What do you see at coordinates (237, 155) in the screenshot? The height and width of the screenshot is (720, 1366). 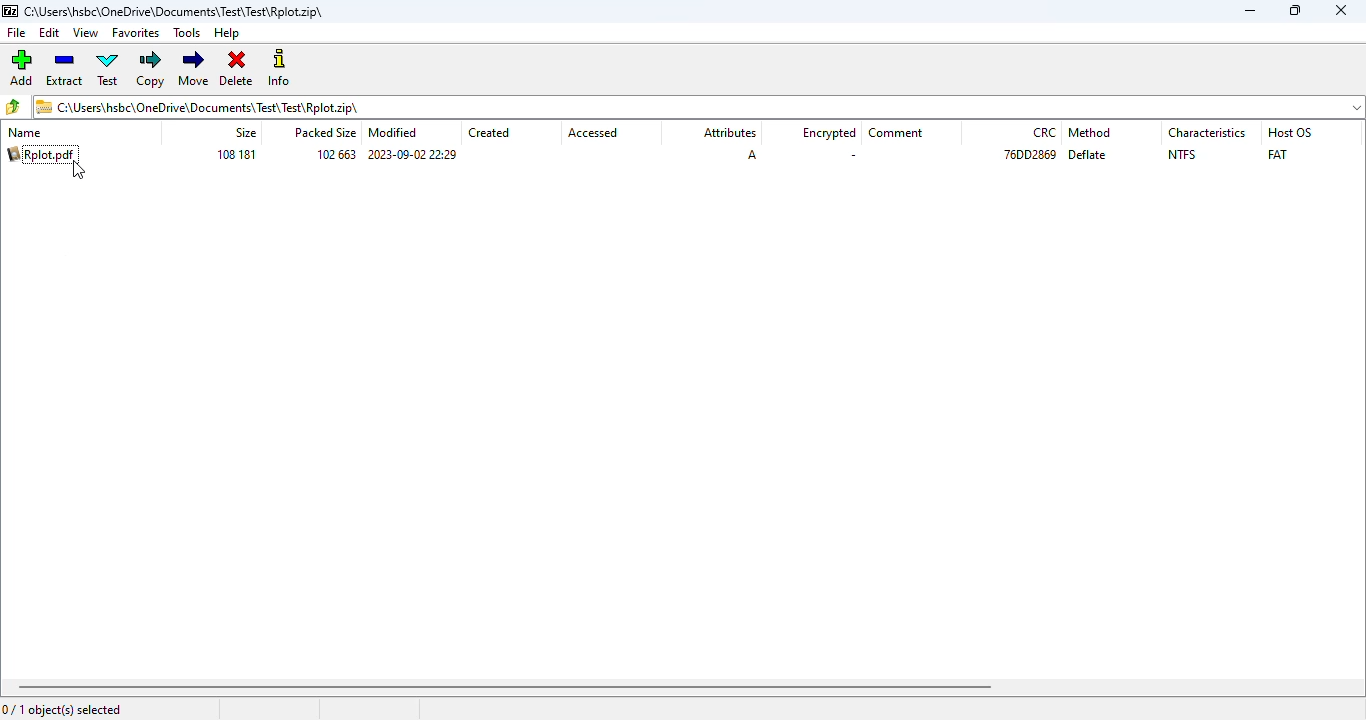 I see `108 181` at bounding box center [237, 155].